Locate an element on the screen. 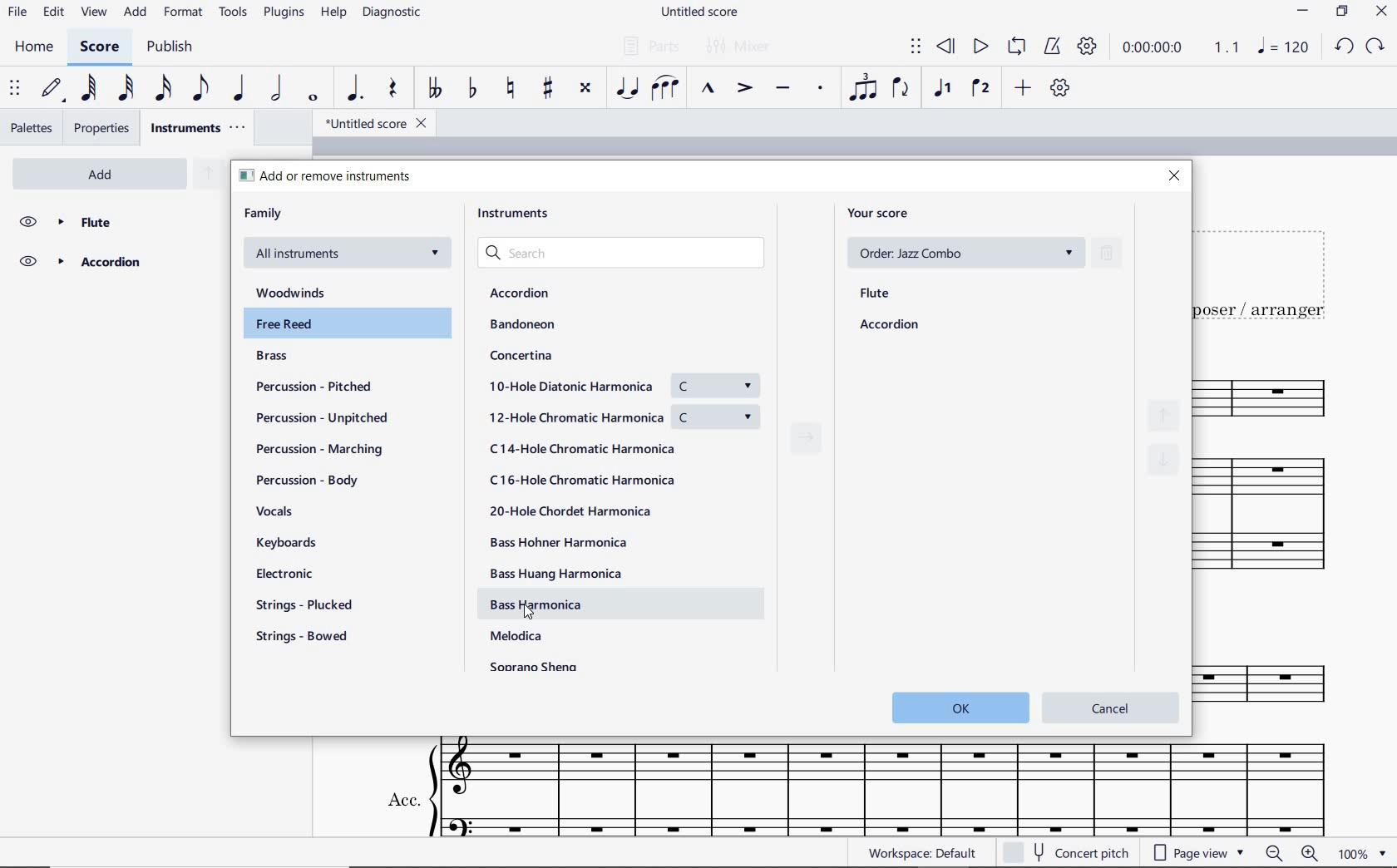  augmentation dot is located at coordinates (355, 88).